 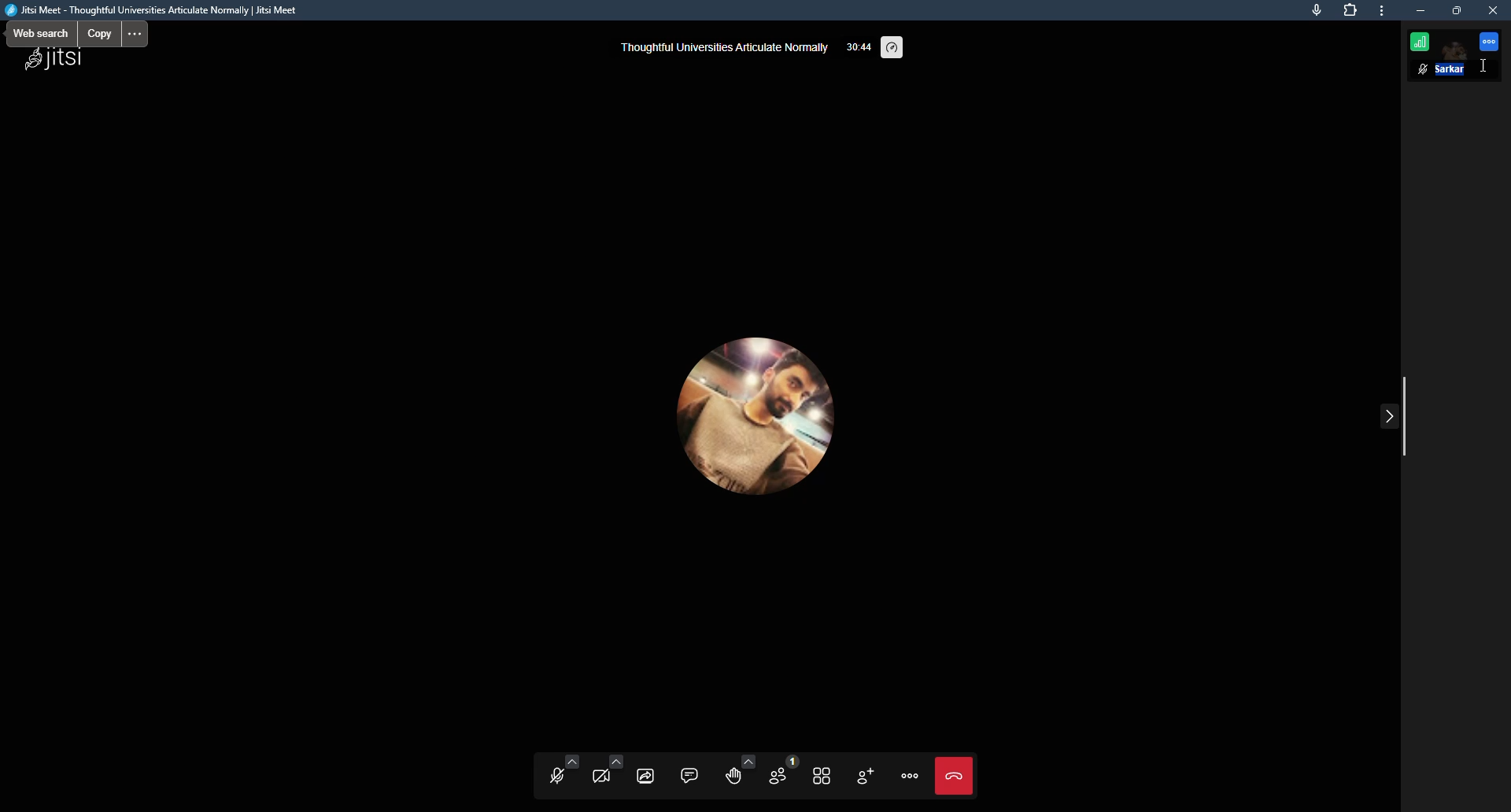 What do you see at coordinates (44, 36) in the screenshot?
I see `web search` at bounding box center [44, 36].